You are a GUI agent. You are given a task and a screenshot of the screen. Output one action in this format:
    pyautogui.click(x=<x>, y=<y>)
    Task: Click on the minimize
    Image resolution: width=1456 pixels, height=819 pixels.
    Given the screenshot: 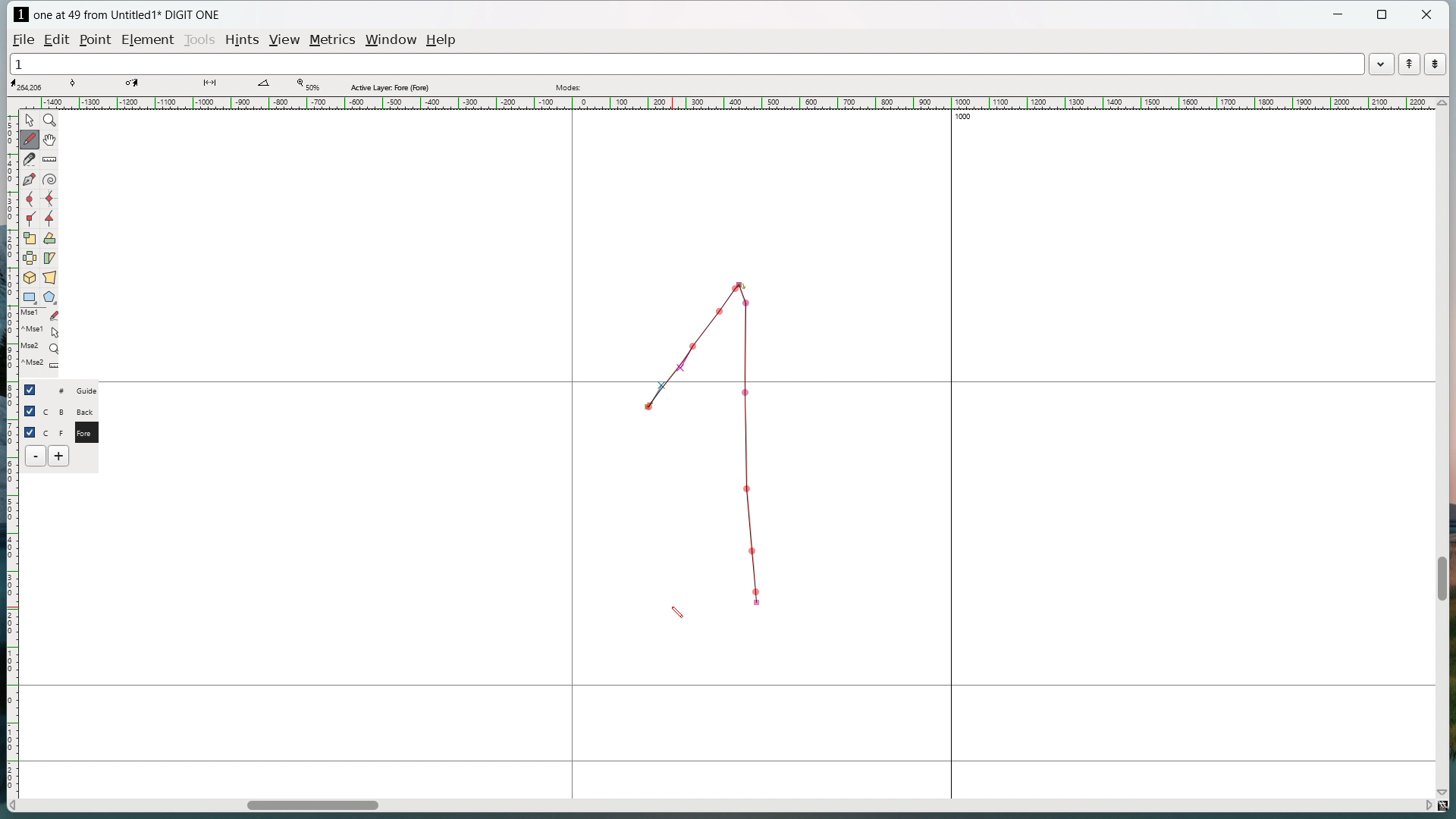 What is the action you would take?
    pyautogui.click(x=1340, y=16)
    